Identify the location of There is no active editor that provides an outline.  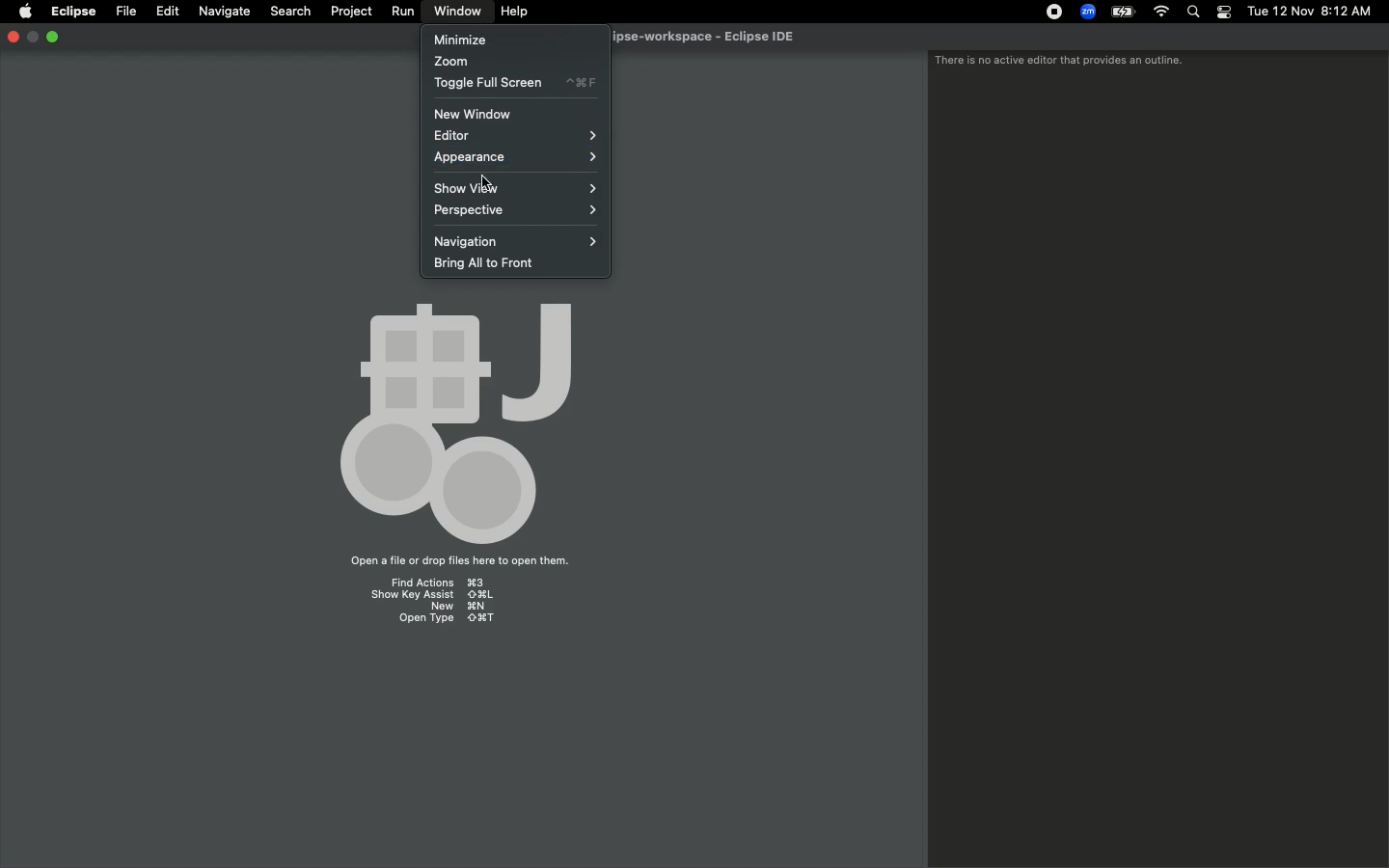
(1059, 62).